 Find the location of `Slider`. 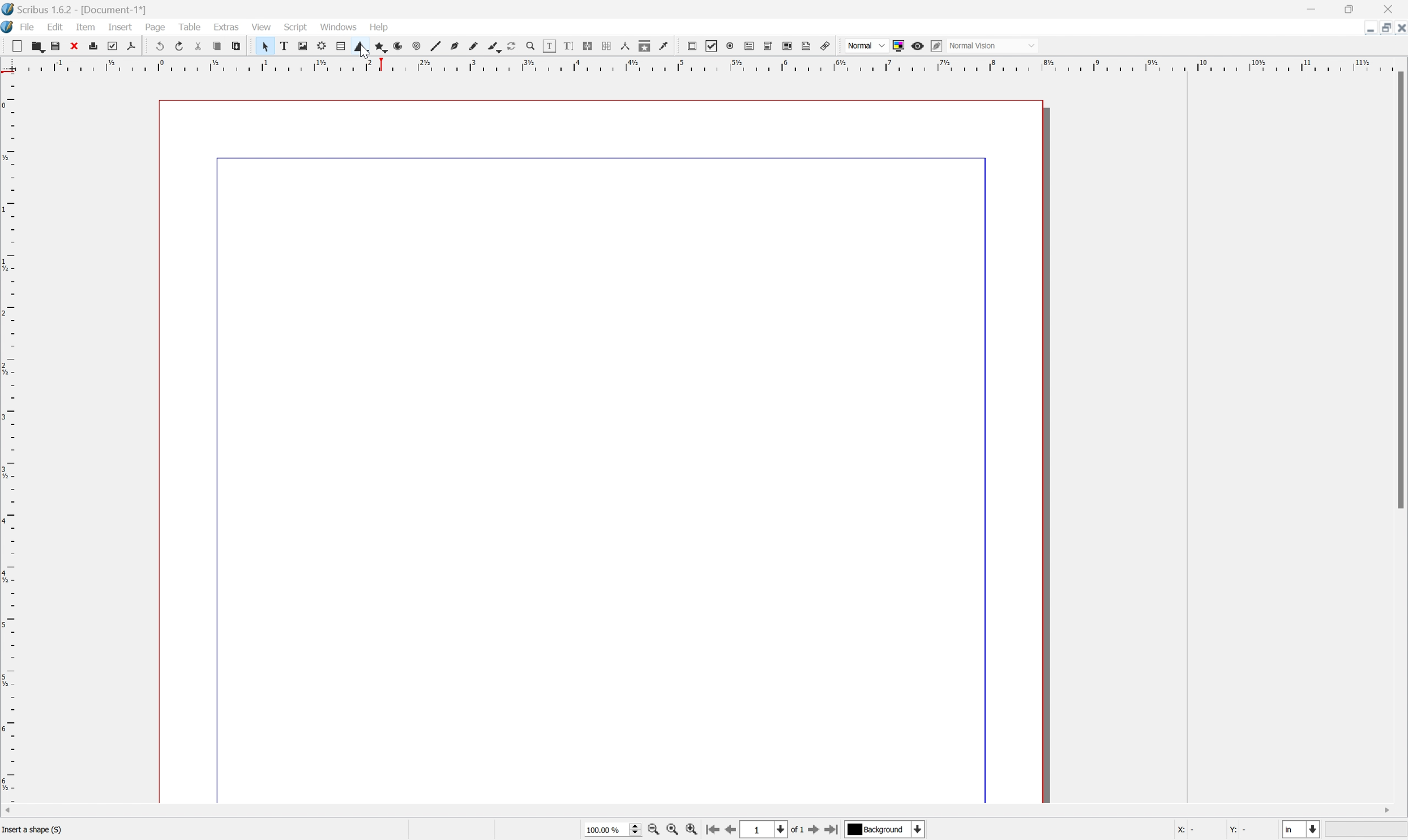

Slider is located at coordinates (631, 830).